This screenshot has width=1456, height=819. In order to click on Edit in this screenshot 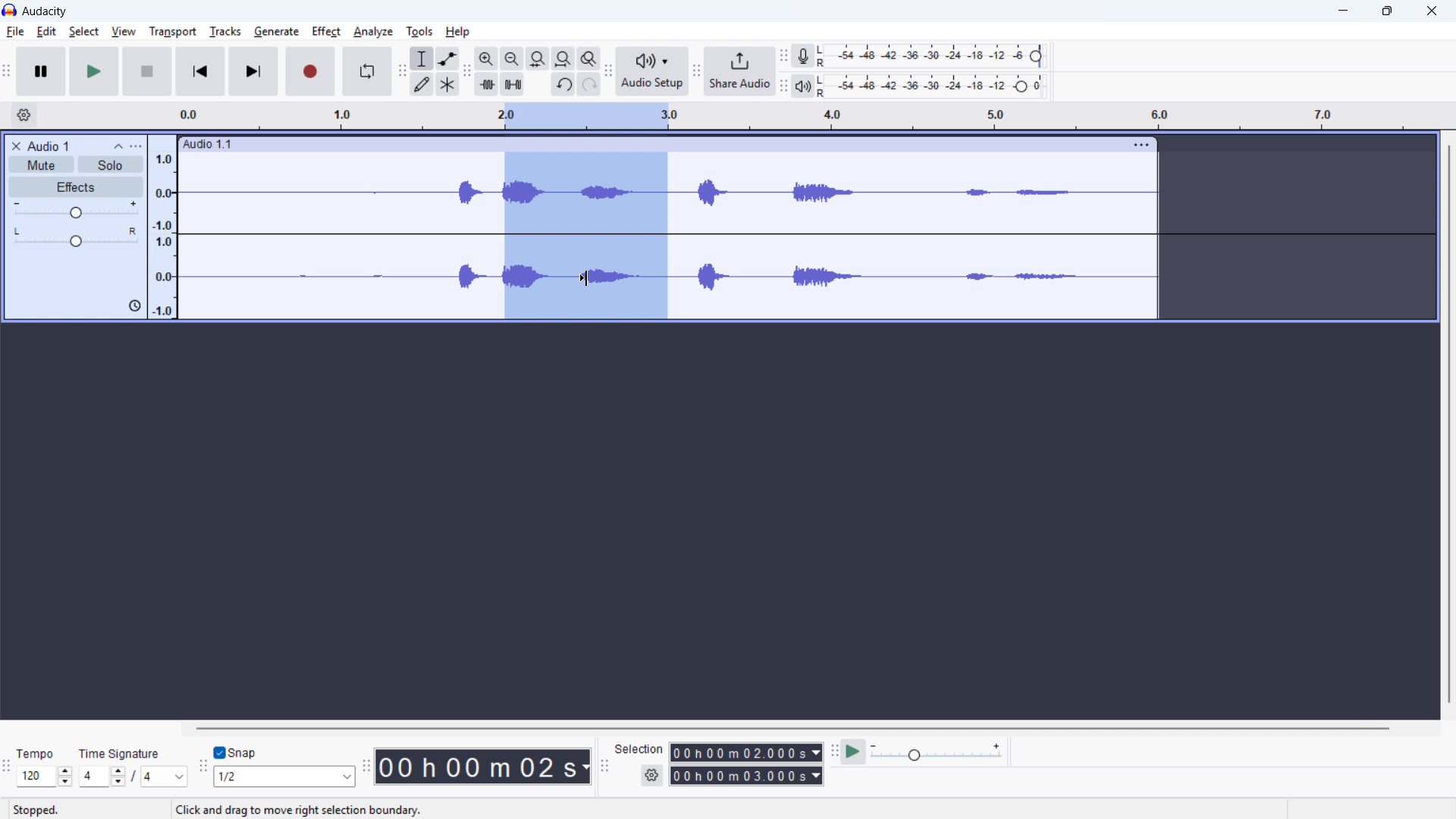, I will do `click(45, 32)`.